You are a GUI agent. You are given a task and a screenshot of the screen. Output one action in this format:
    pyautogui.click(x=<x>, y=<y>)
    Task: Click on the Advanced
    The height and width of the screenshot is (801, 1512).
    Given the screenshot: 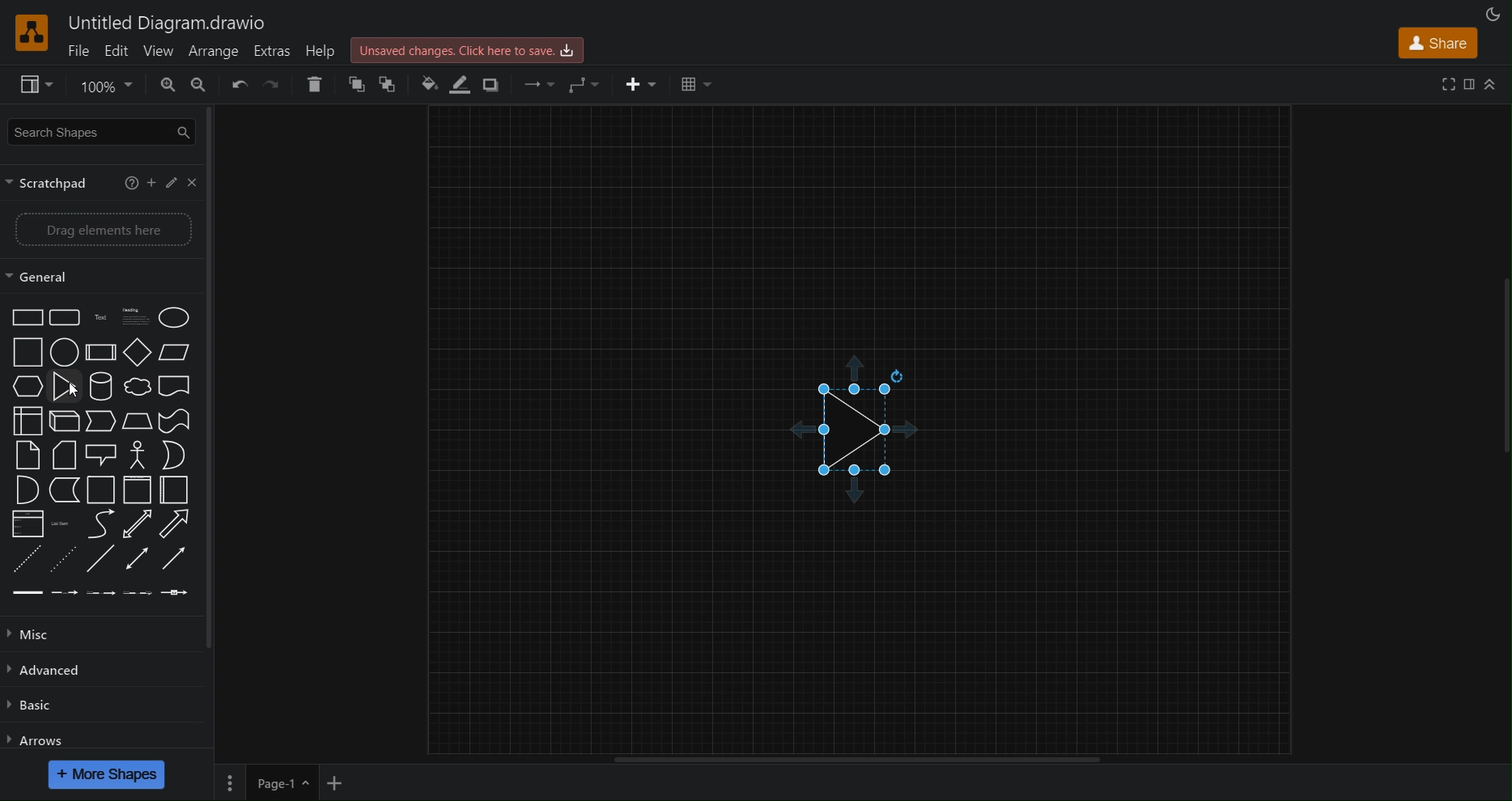 What is the action you would take?
    pyautogui.click(x=51, y=674)
    